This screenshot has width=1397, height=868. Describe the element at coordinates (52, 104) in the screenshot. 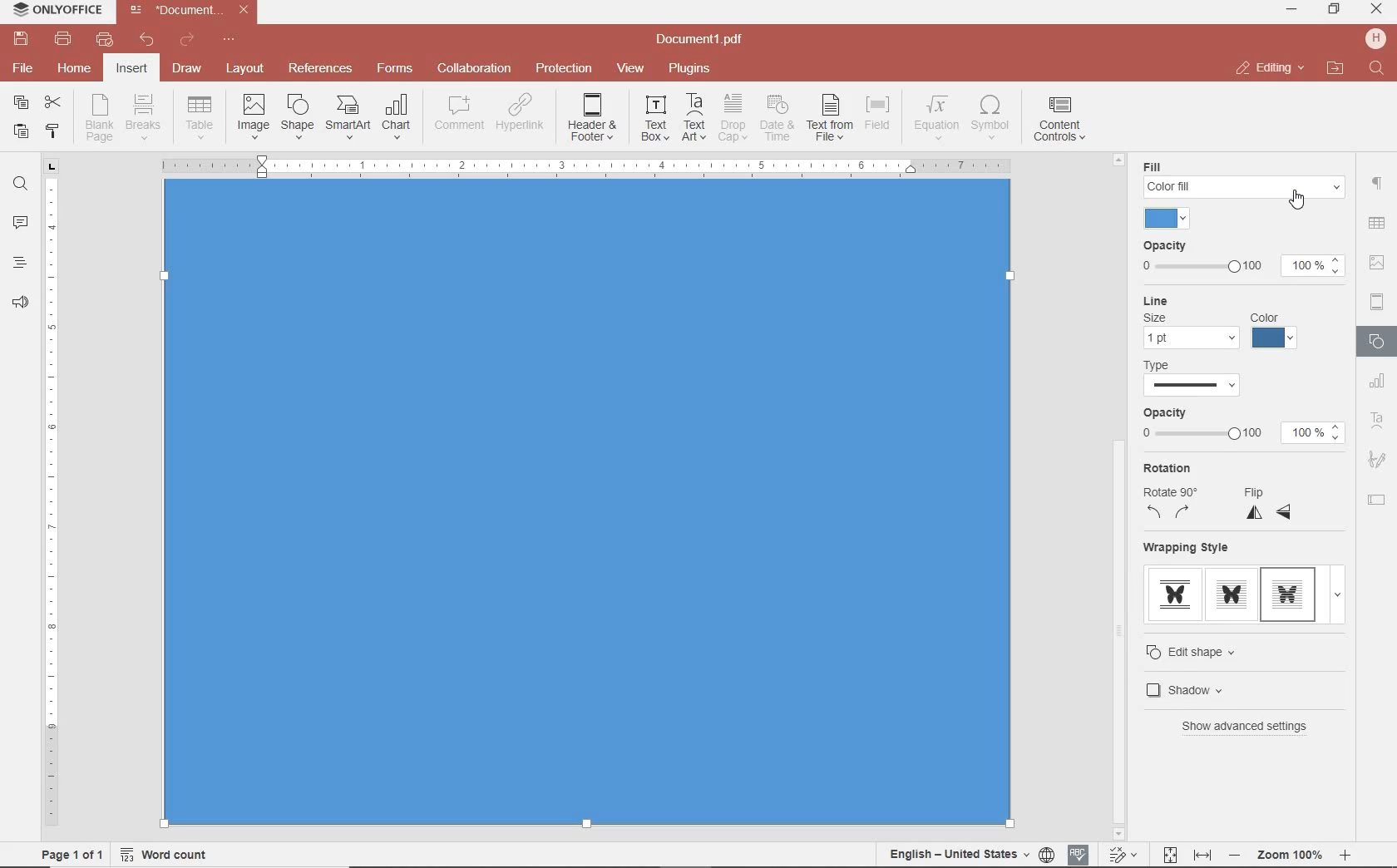

I see `cut` at that location.